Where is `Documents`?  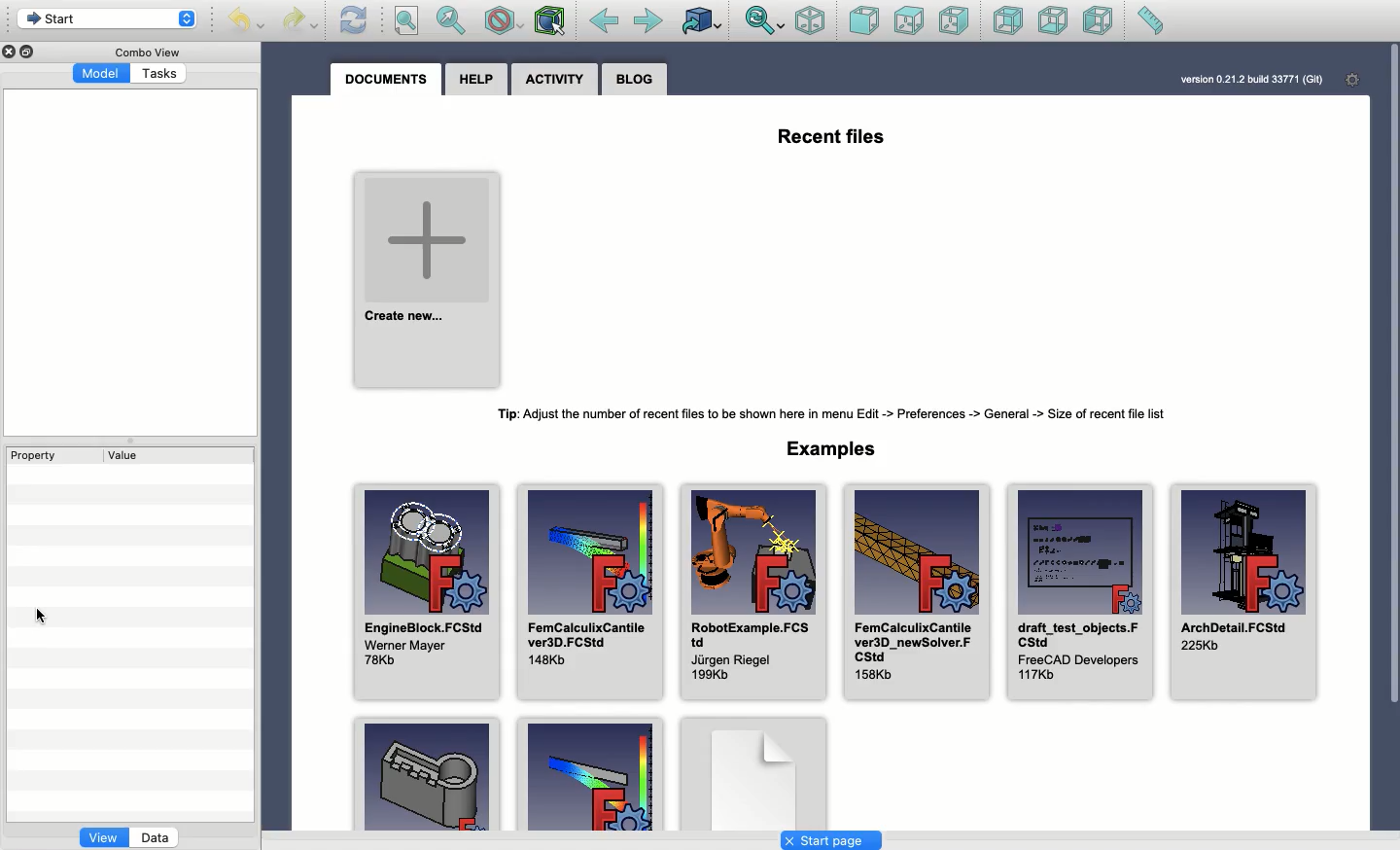
Documents is located at coordinates (387, 82).